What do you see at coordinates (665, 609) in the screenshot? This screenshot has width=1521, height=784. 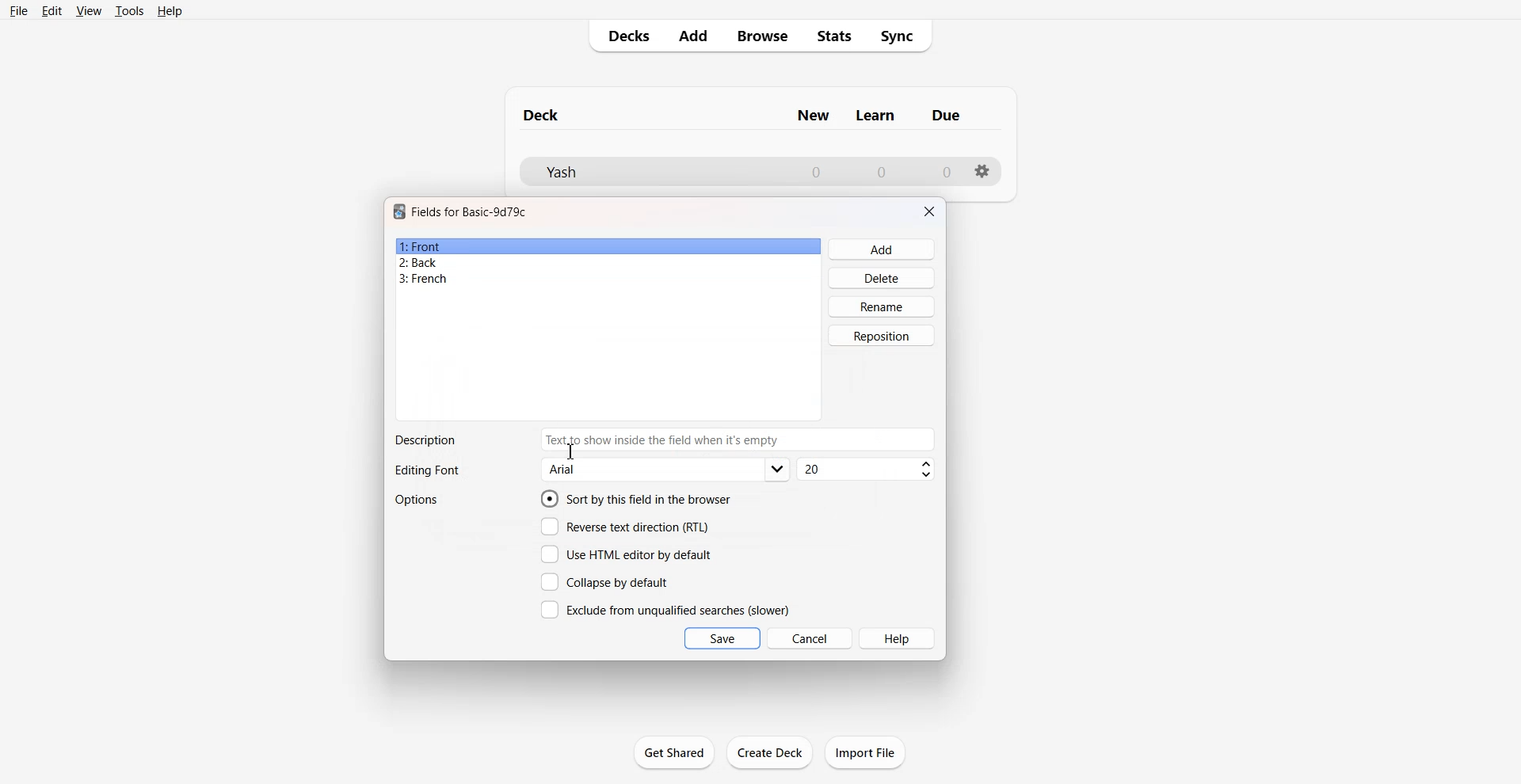 I see `Exclude from unqualified searches (slower)` at bounding box center [665, 609].